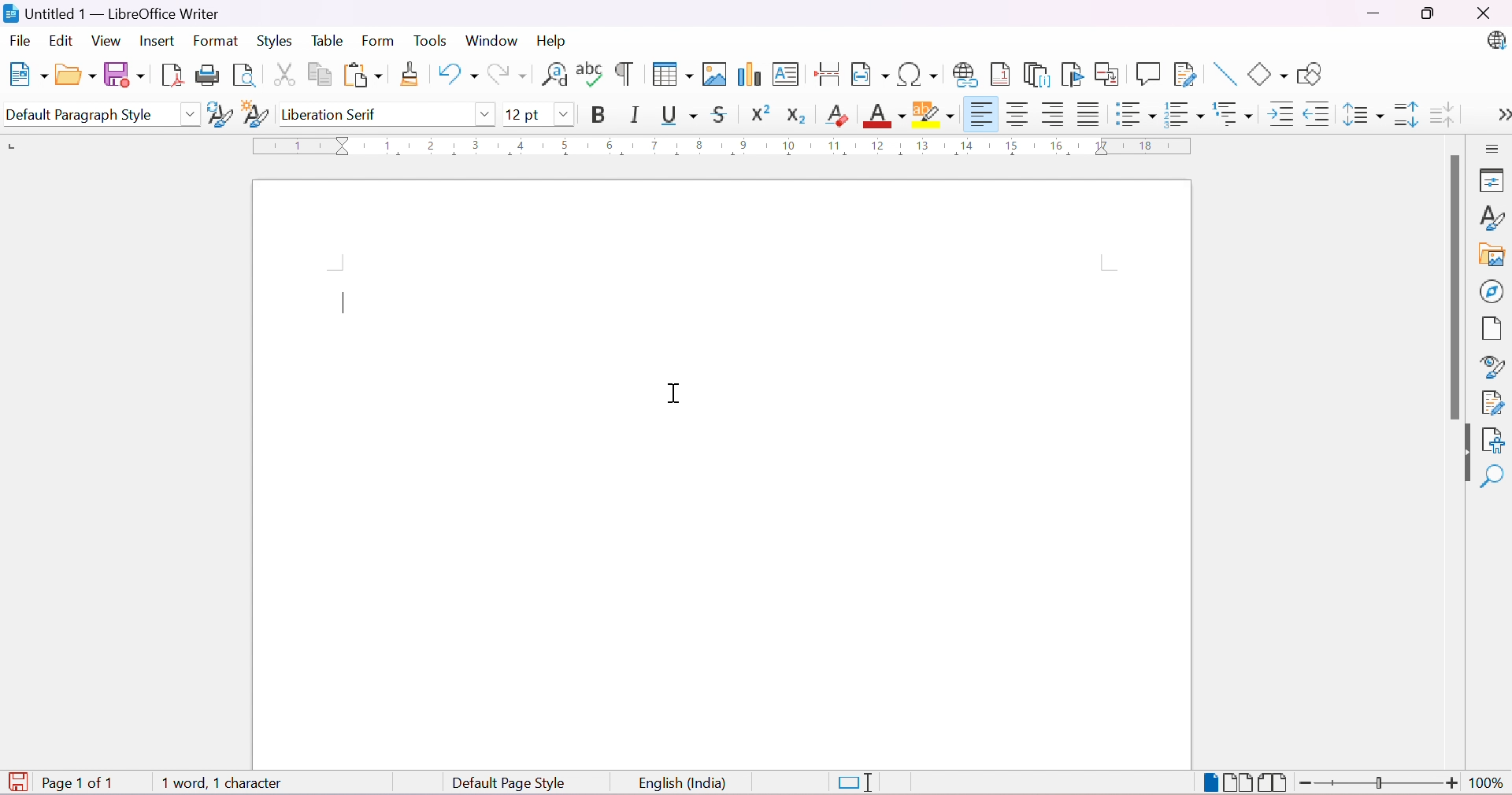  What do you see at coordinates (244, 76) in the screenshot?
I see `Toggle Print Preview` at bounding box center [244, 76].